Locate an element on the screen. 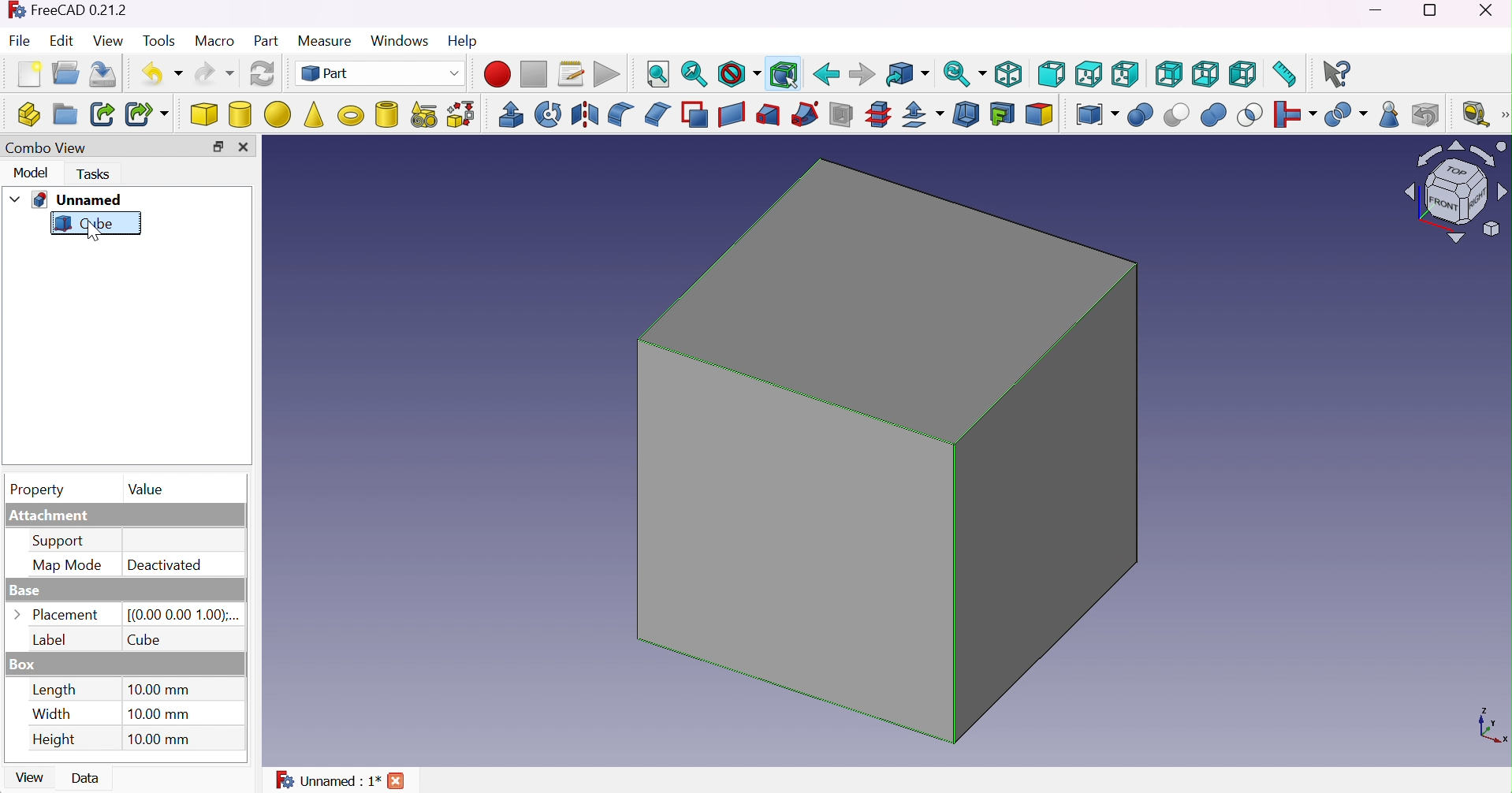 Image resolution: width=1512 pixels, height=793 pixels. Model is located at coordinates (28, 172).